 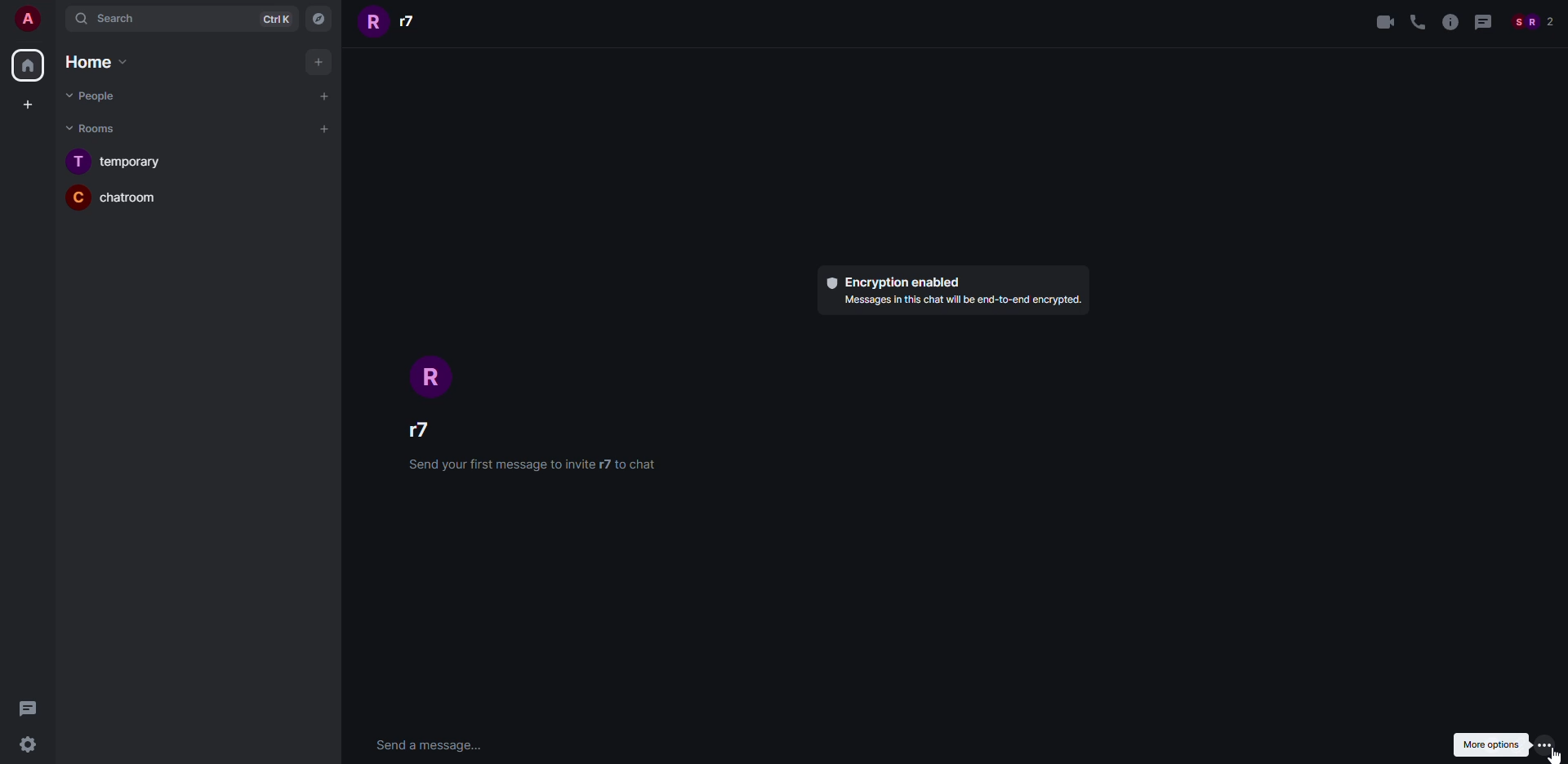 I want to click on Username, so click(x=432, y=428).